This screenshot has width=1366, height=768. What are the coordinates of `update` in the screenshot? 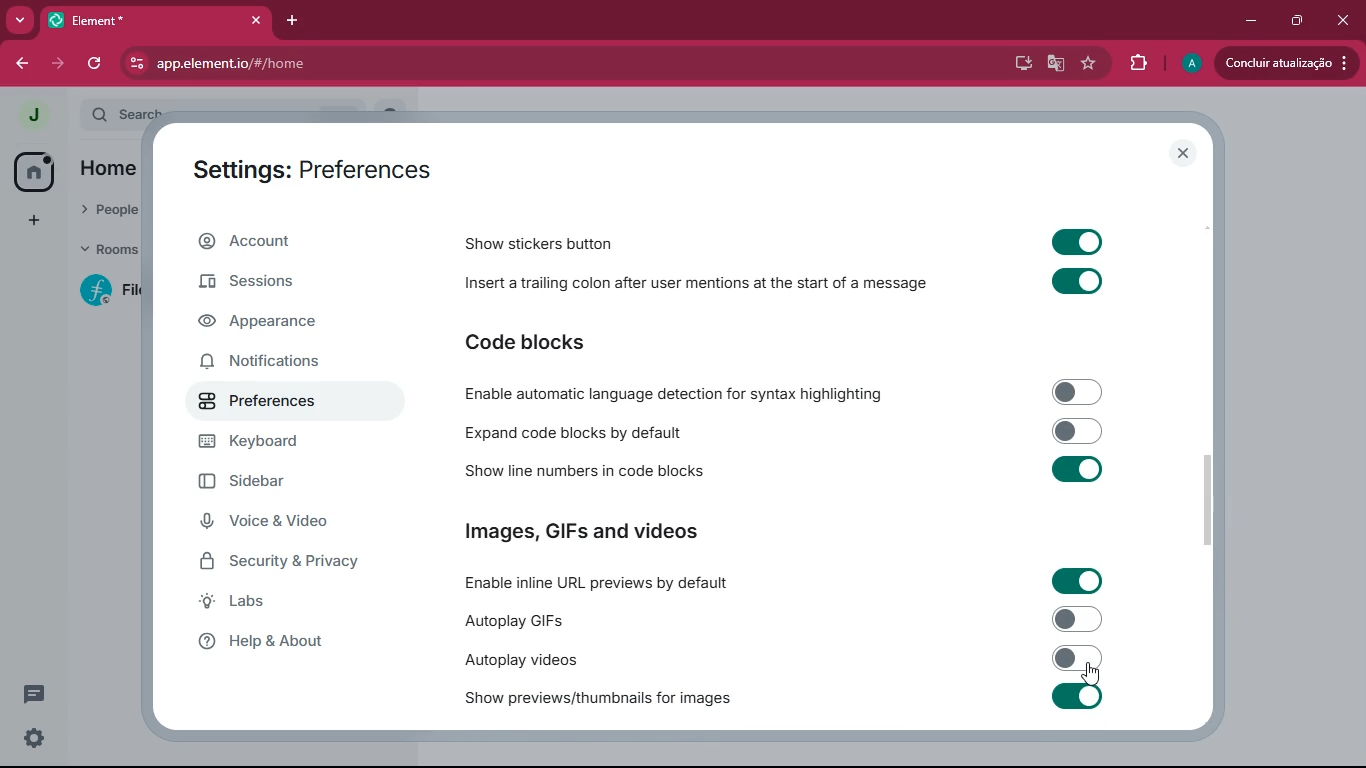 It's located at (1284, 62).